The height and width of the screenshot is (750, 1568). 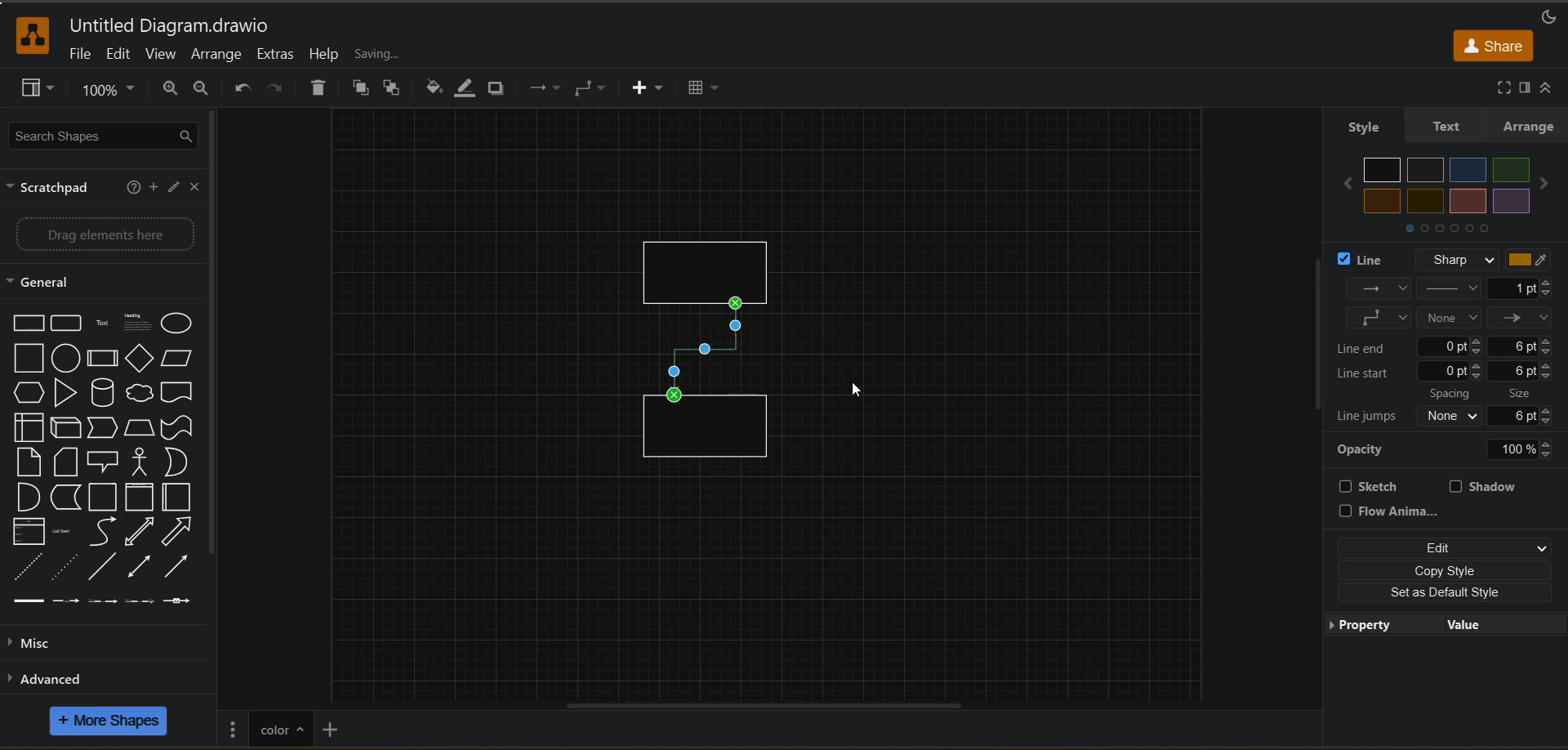 I want to click on connectors, so click(x=592, y=88).